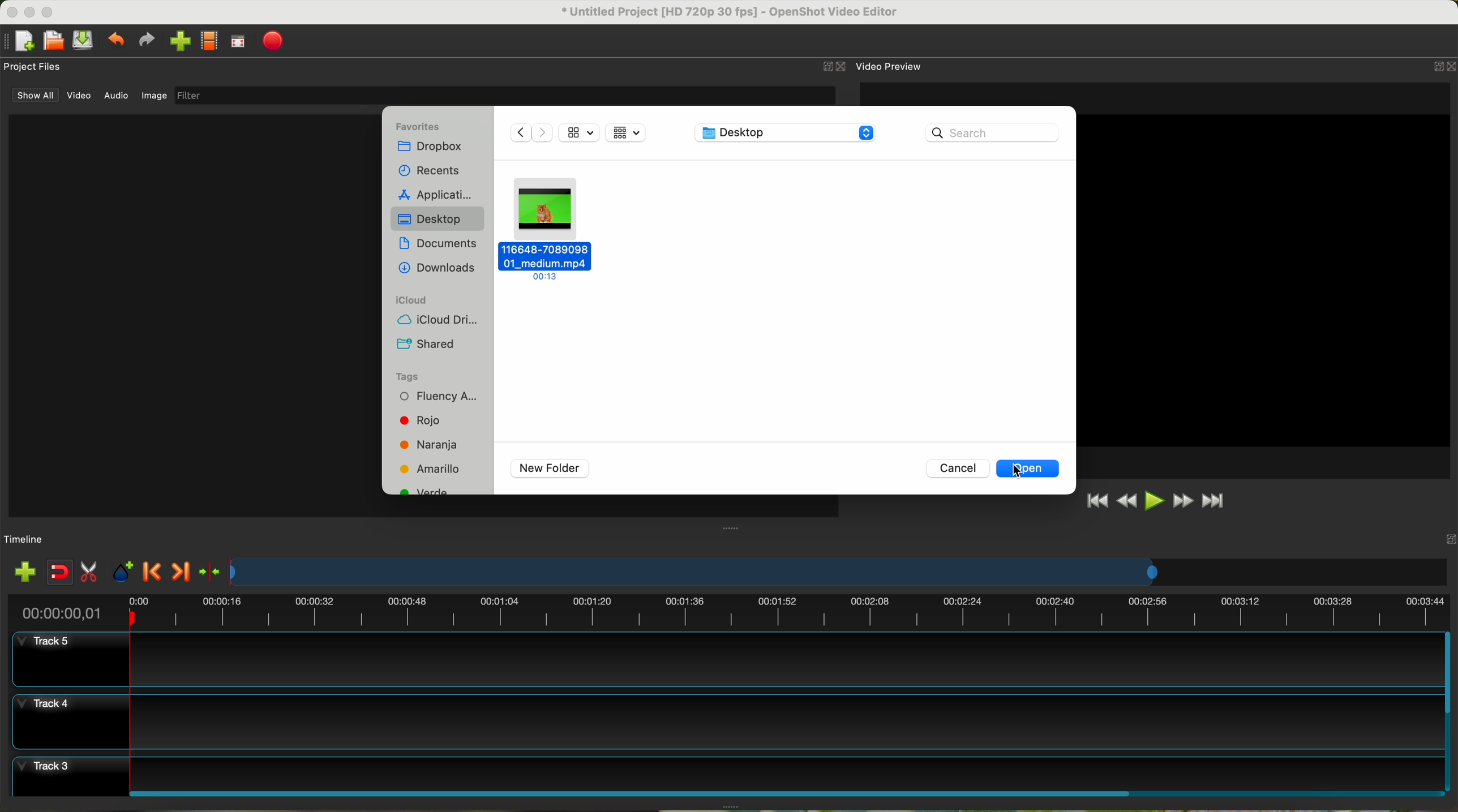  What do you see at coordinates (1183, 501) in the screenshot?
I see `fast foward` at bounding box center [1183, 501].